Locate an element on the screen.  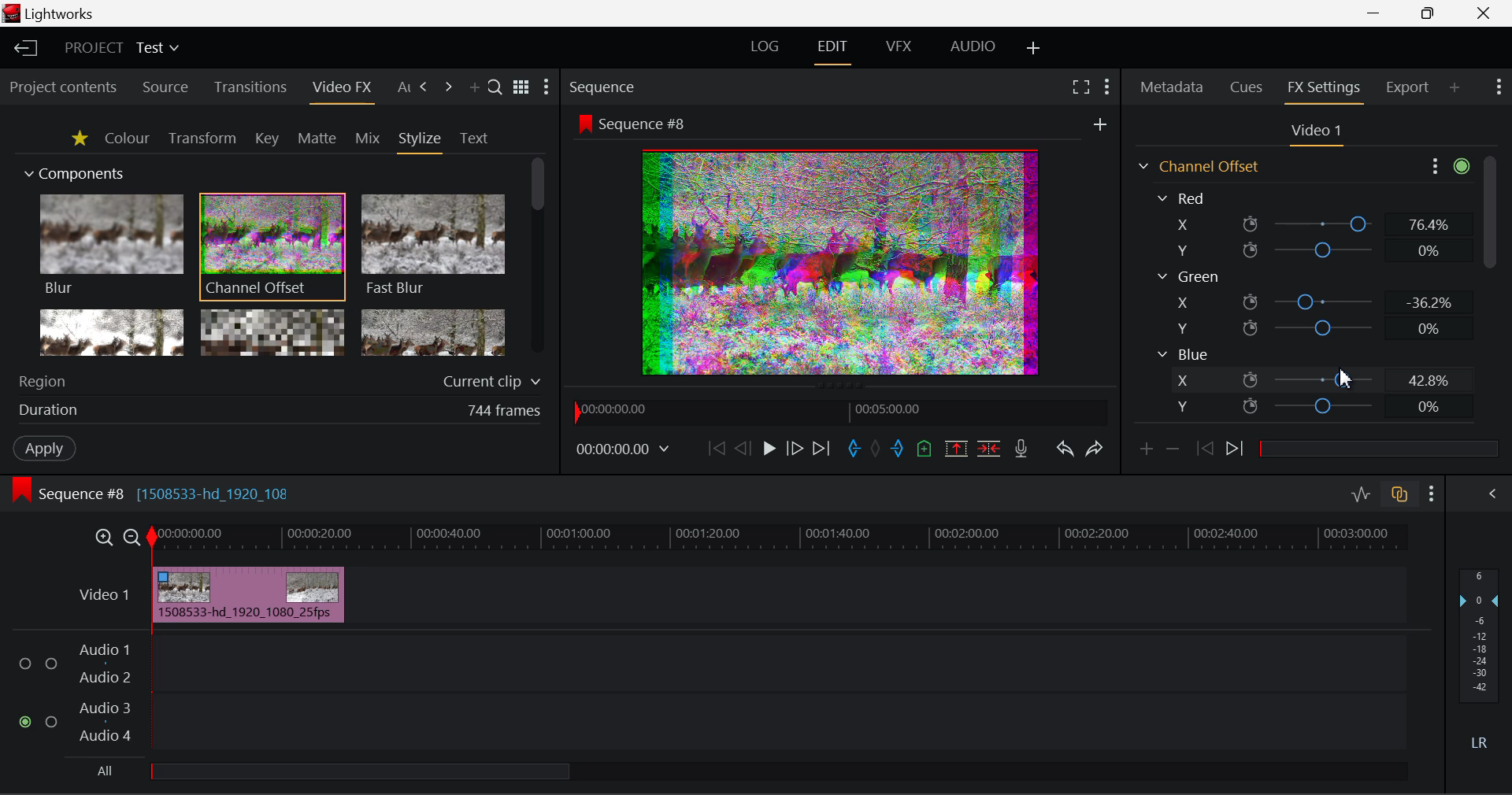
Video Settings is located at coordinates (1314, 134).